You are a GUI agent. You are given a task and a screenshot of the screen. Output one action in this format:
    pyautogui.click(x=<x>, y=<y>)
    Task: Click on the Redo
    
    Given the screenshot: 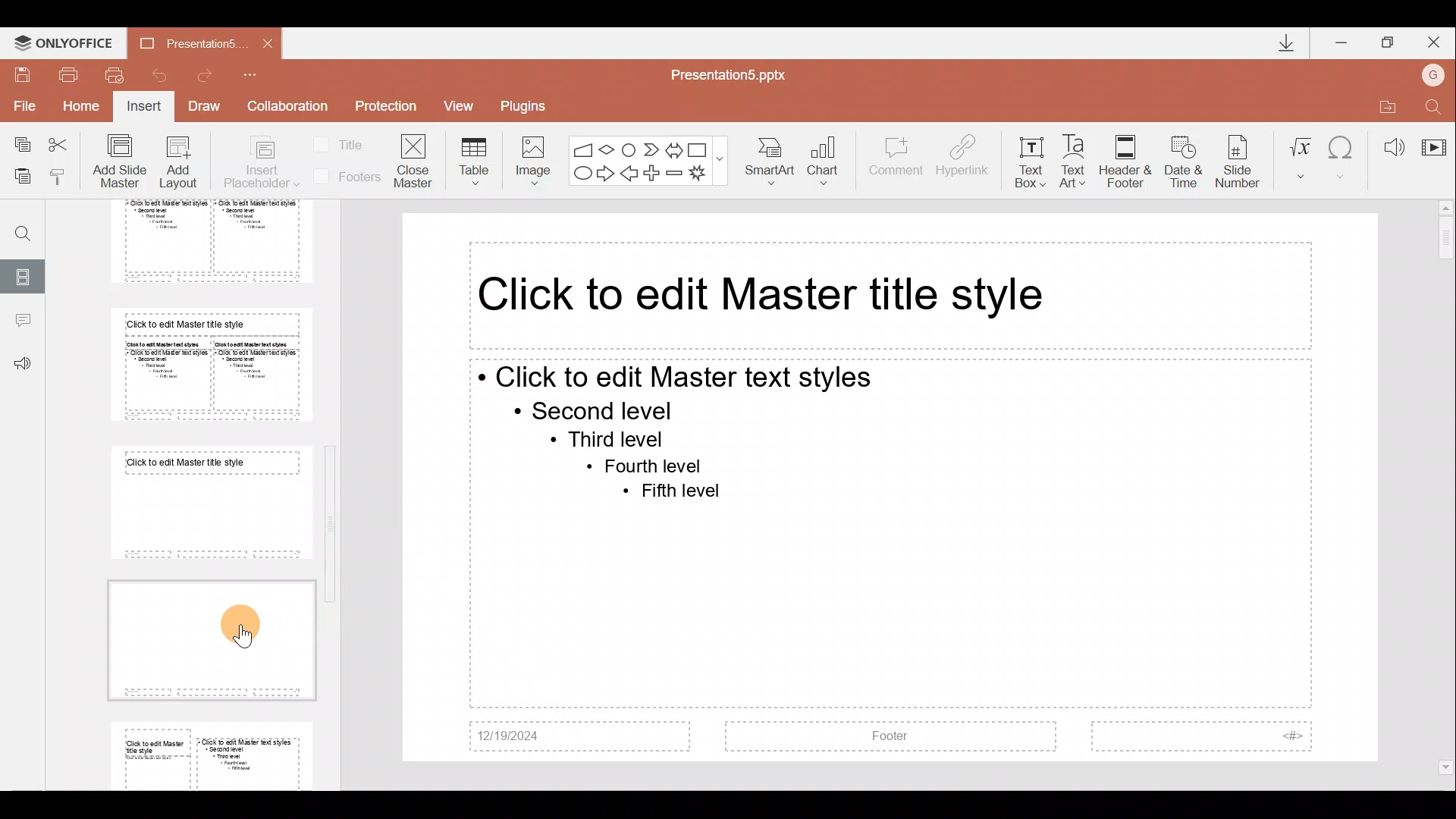 What is the action you would take?
    pyautogui.click(x=211, y=75)
    